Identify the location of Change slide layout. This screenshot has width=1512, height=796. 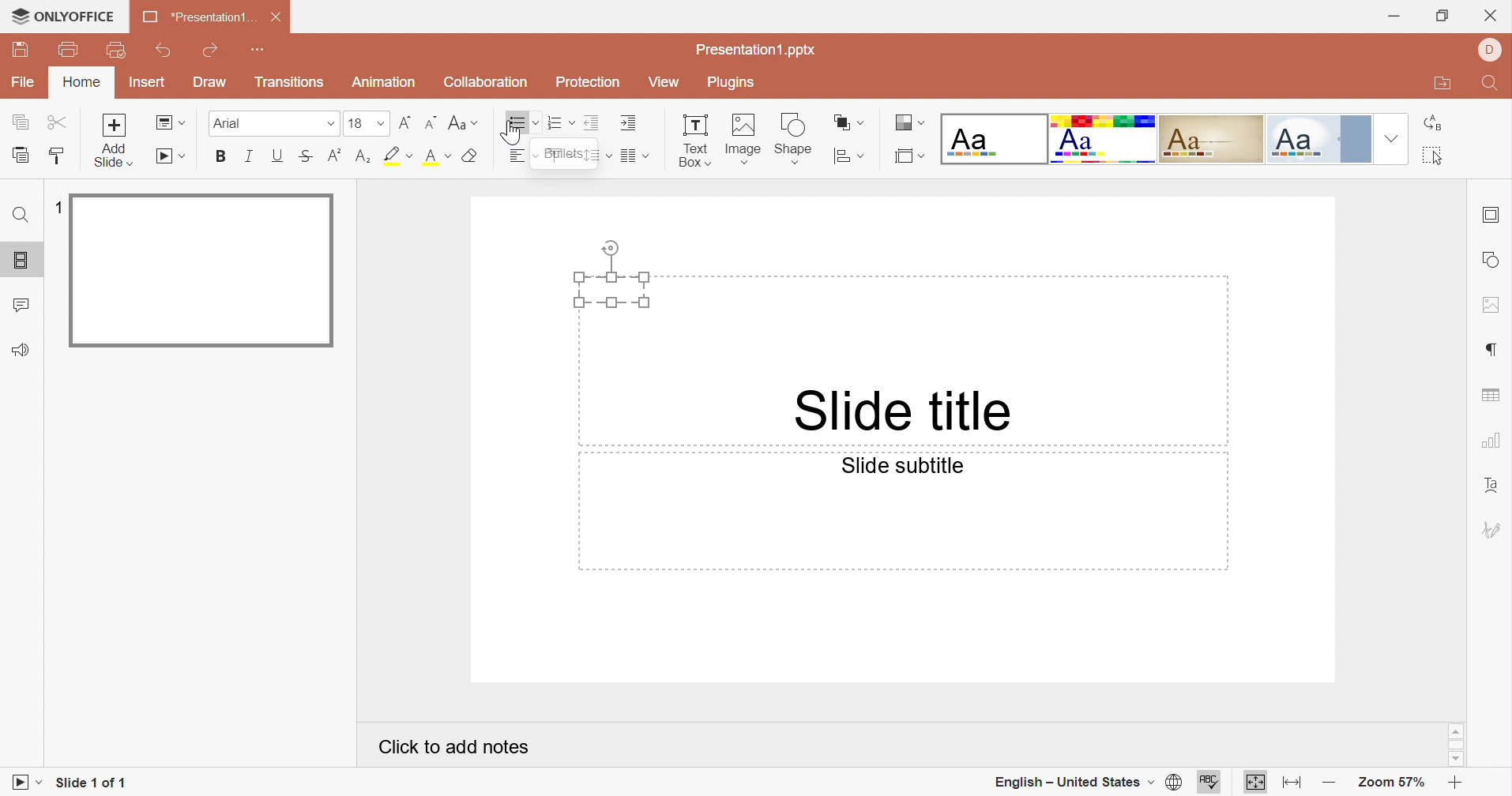
(171, 123).